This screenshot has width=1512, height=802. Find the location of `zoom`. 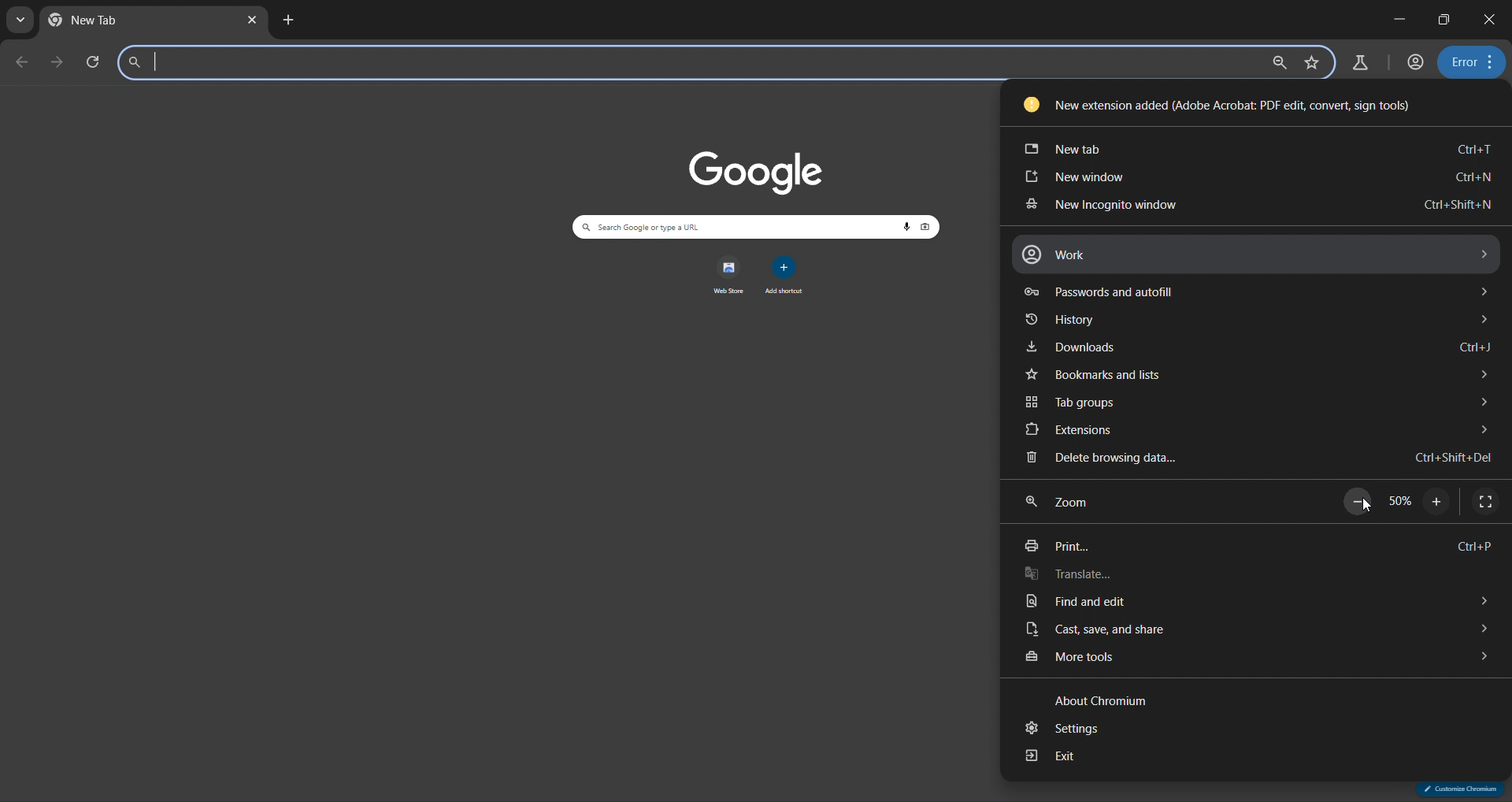

zoom is located at coordinates (1281, 64).